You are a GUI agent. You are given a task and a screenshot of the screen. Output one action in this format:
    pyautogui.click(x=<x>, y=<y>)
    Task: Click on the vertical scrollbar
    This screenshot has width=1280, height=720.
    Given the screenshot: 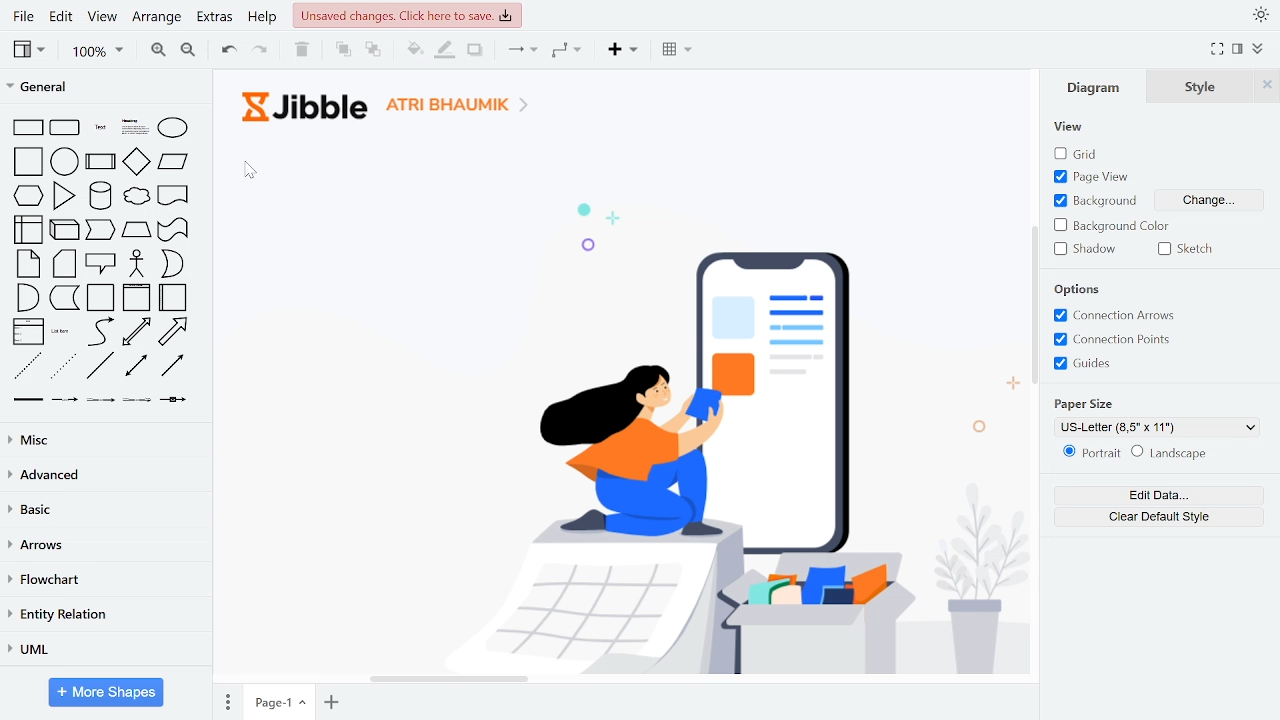 What is the action you would take?
    pyautogui.click(x=1032, y=309)
    